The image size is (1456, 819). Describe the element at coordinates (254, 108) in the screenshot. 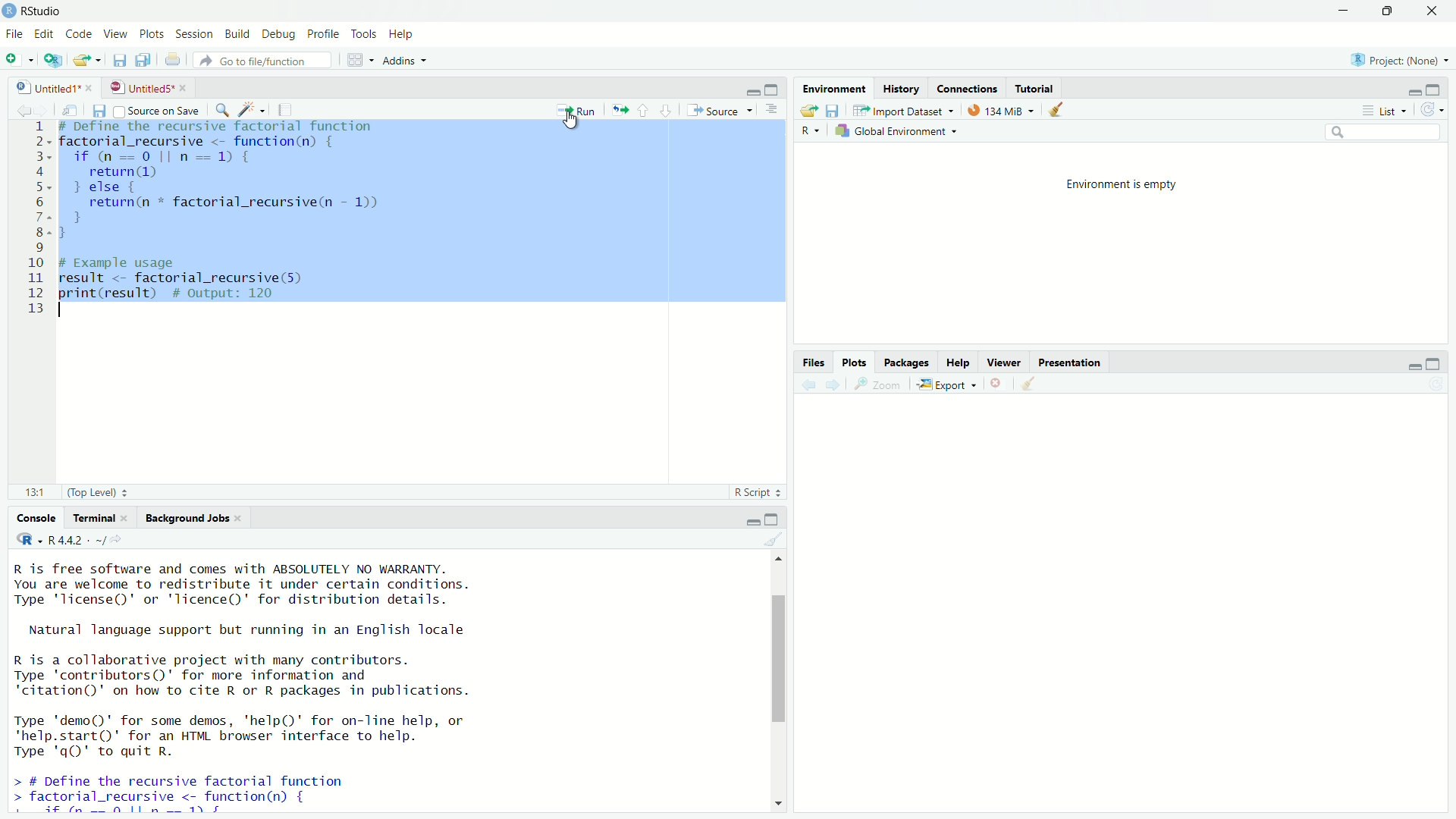

I see `Code Tools` at that location.